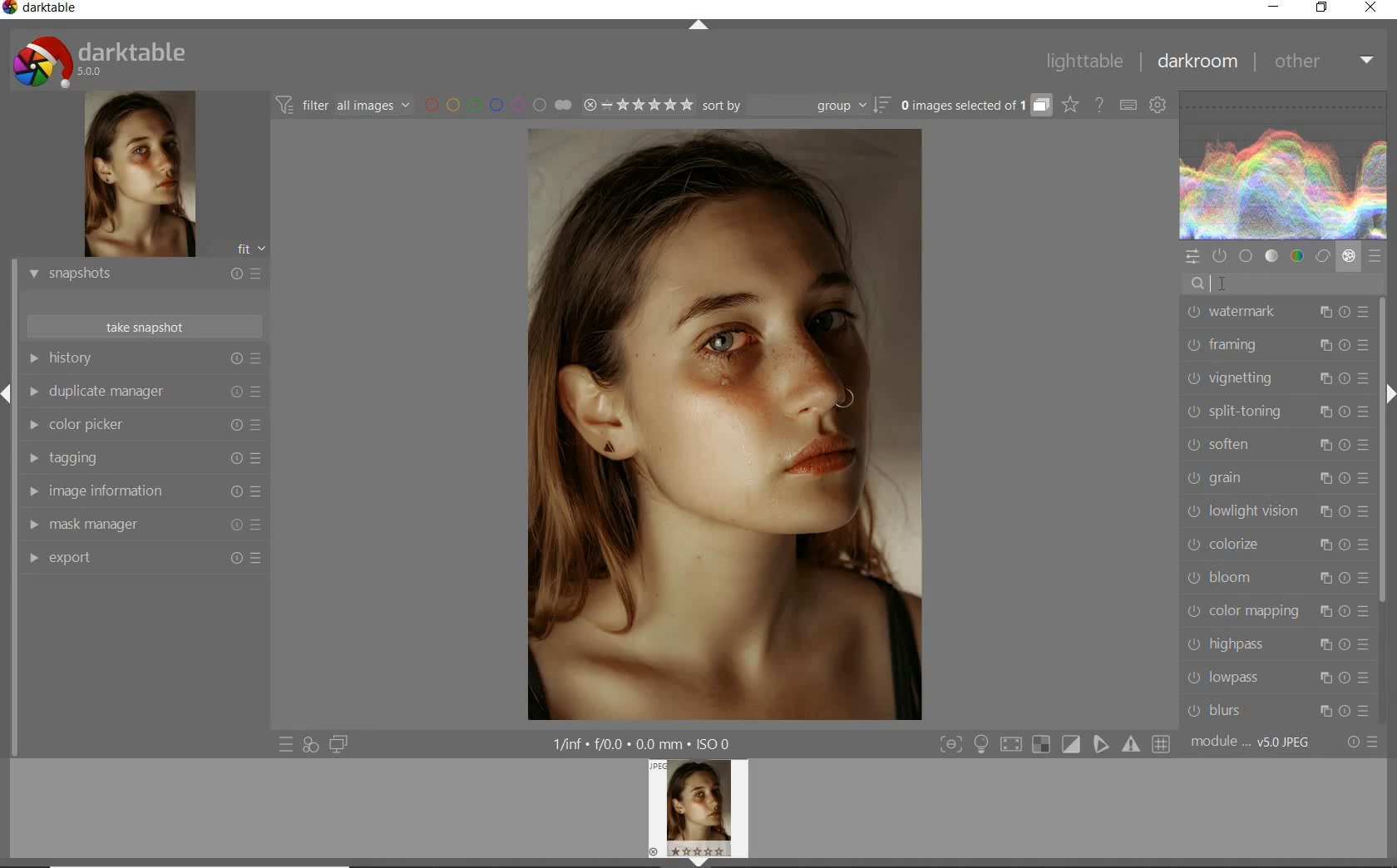 This screenshot has width=1397, height=868. What do you see at coordinates (1273, 7) in the screenshot?
I see `minimize` at bounding box center [1273, 7].